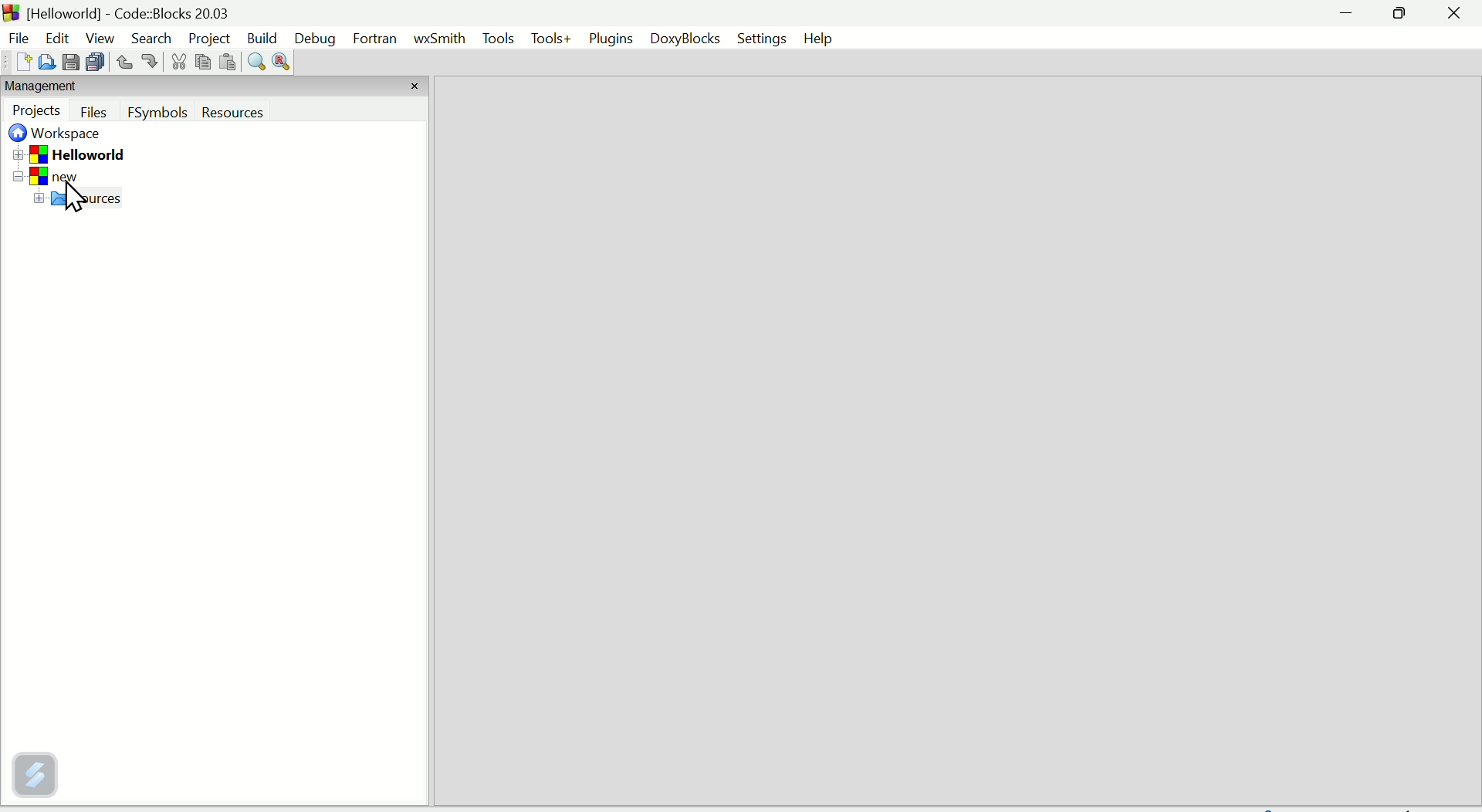 The height and width of the screenshot is (812, 1482). What do you see at coordinates (51, 34) in the screenshot?
I see `Edit` at bounding box center [51, 34].